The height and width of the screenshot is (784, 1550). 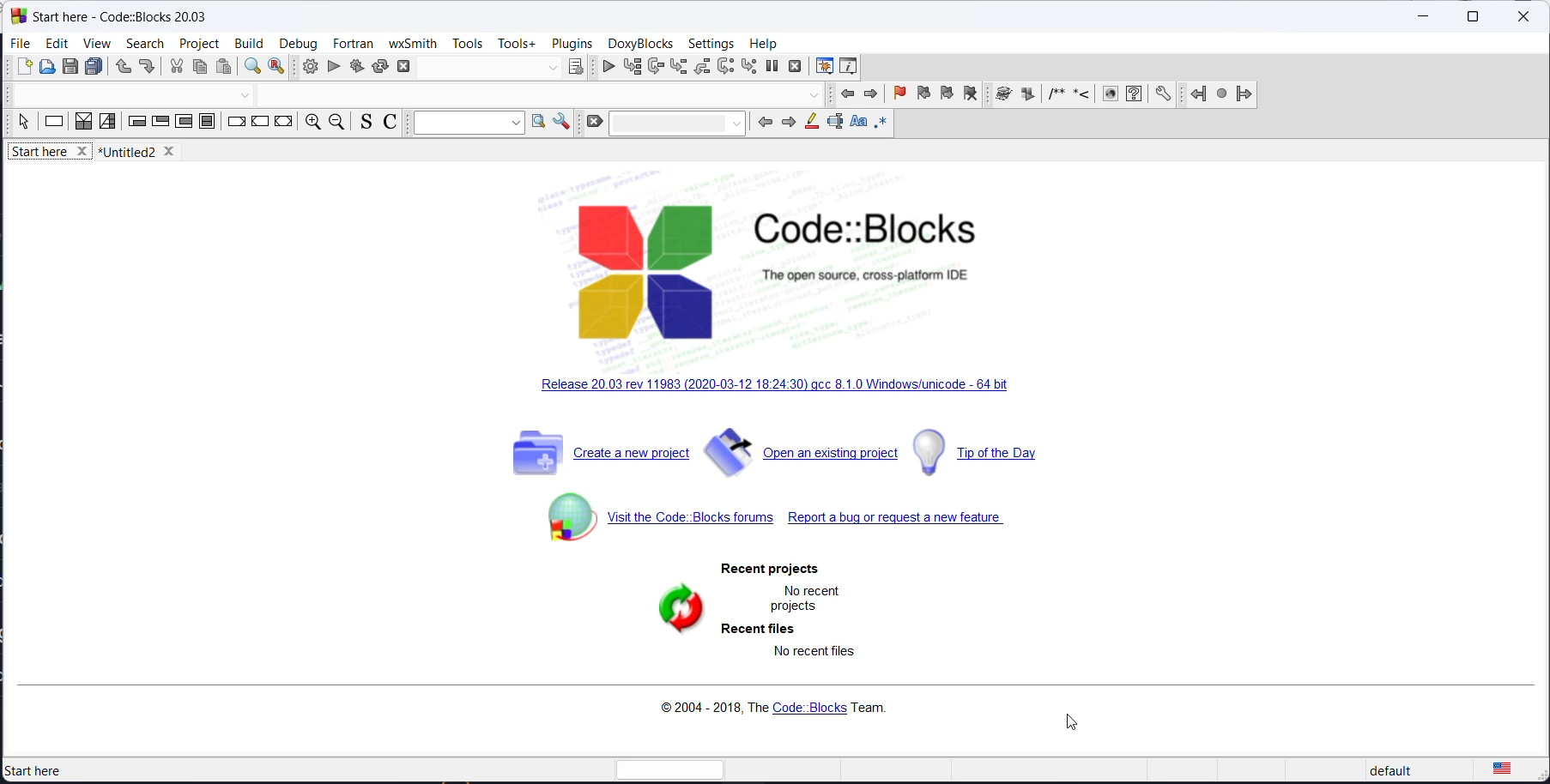 What do you see at coordinates (136, 124) in the screenshot?
I see `entry condition loop` at bounding box center [136, 124].